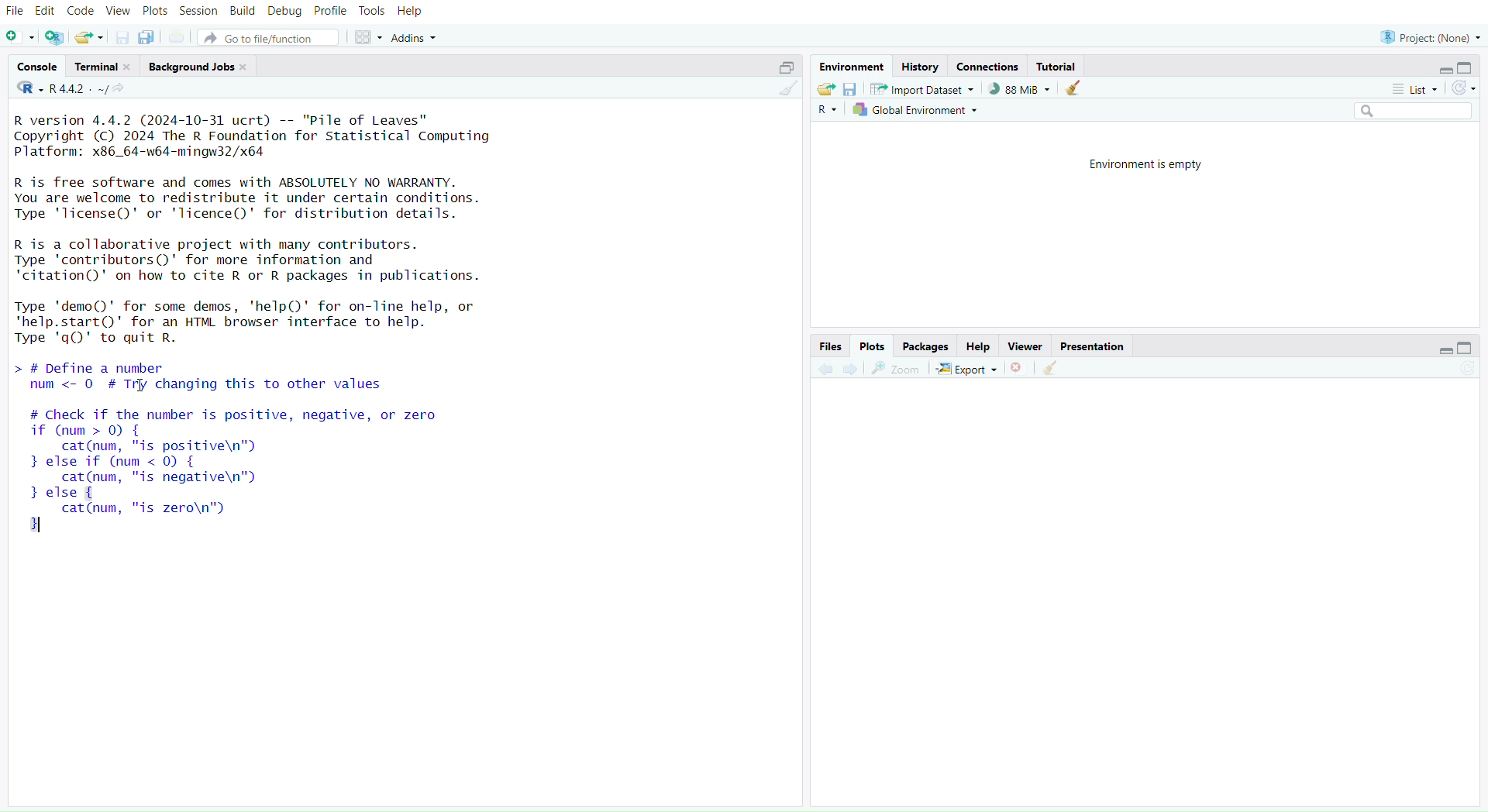  Describe the element at coordinates (82, 11) in the screenshot. I see `code` at that location.